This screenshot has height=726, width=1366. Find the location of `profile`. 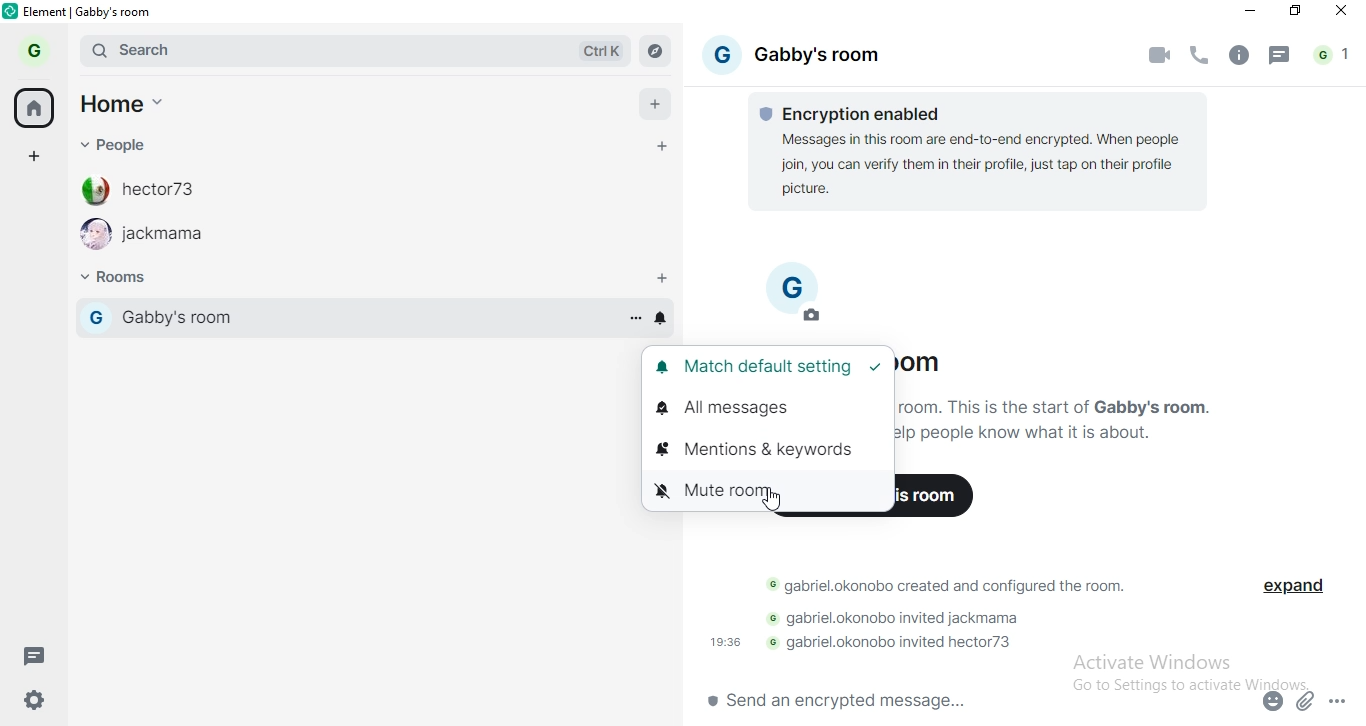

profile is located at coordinates (789, 285).